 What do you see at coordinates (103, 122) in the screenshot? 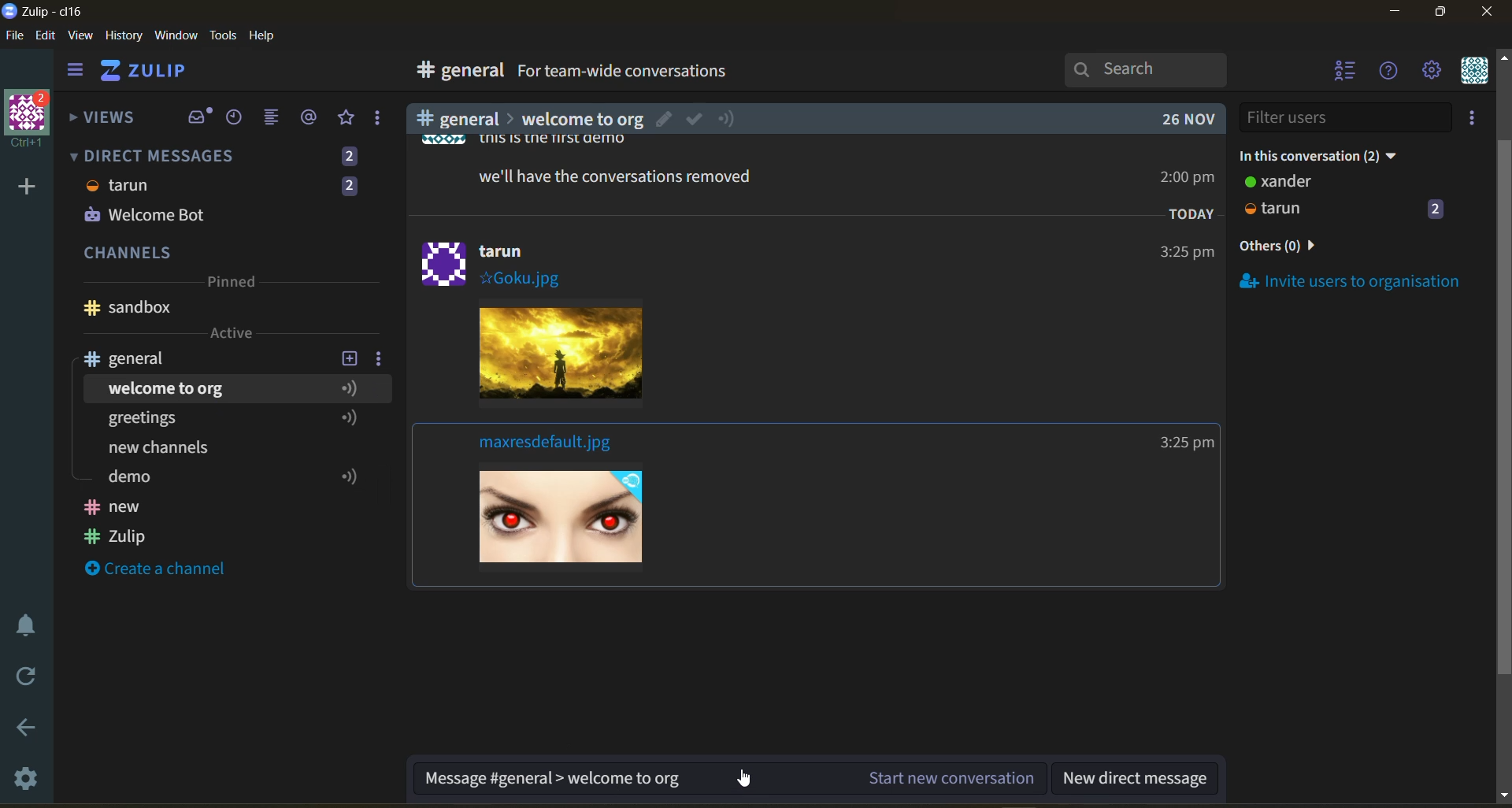
I see `views` at bounding box center [103, 122].